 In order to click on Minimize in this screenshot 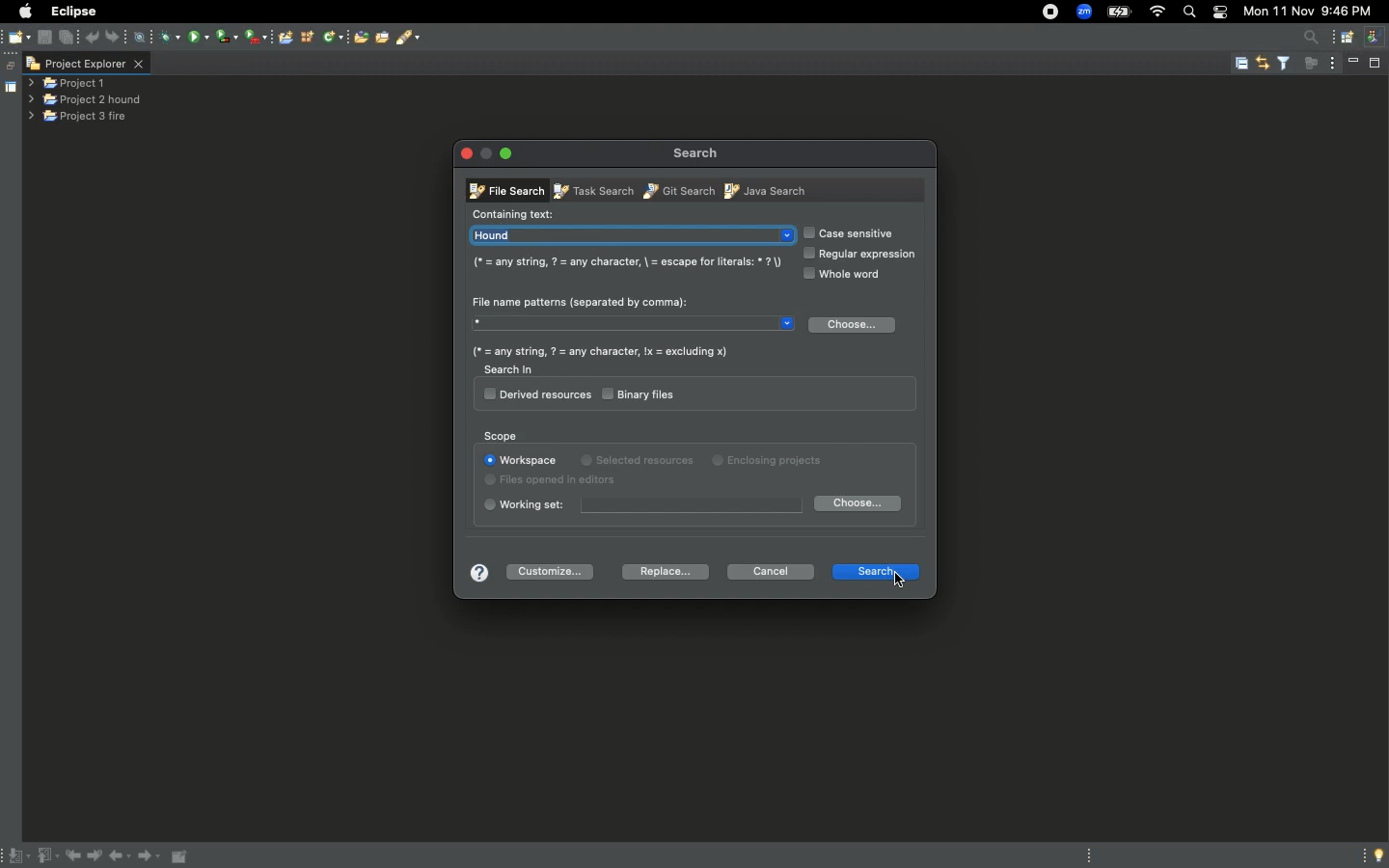, I will do `click(516, 156)`.